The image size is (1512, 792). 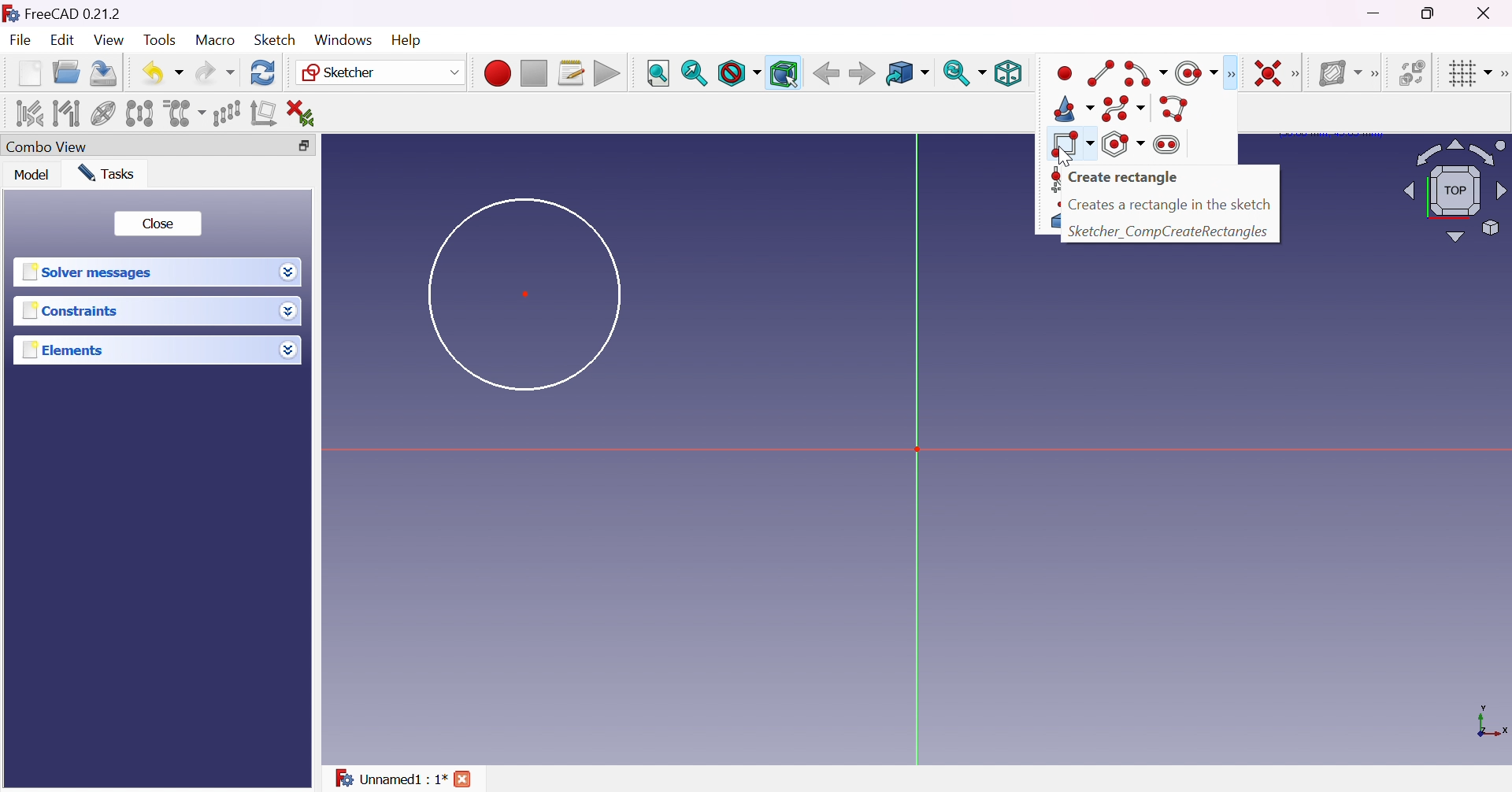 I want to click on Restore down, so click(x=1430, y=13).